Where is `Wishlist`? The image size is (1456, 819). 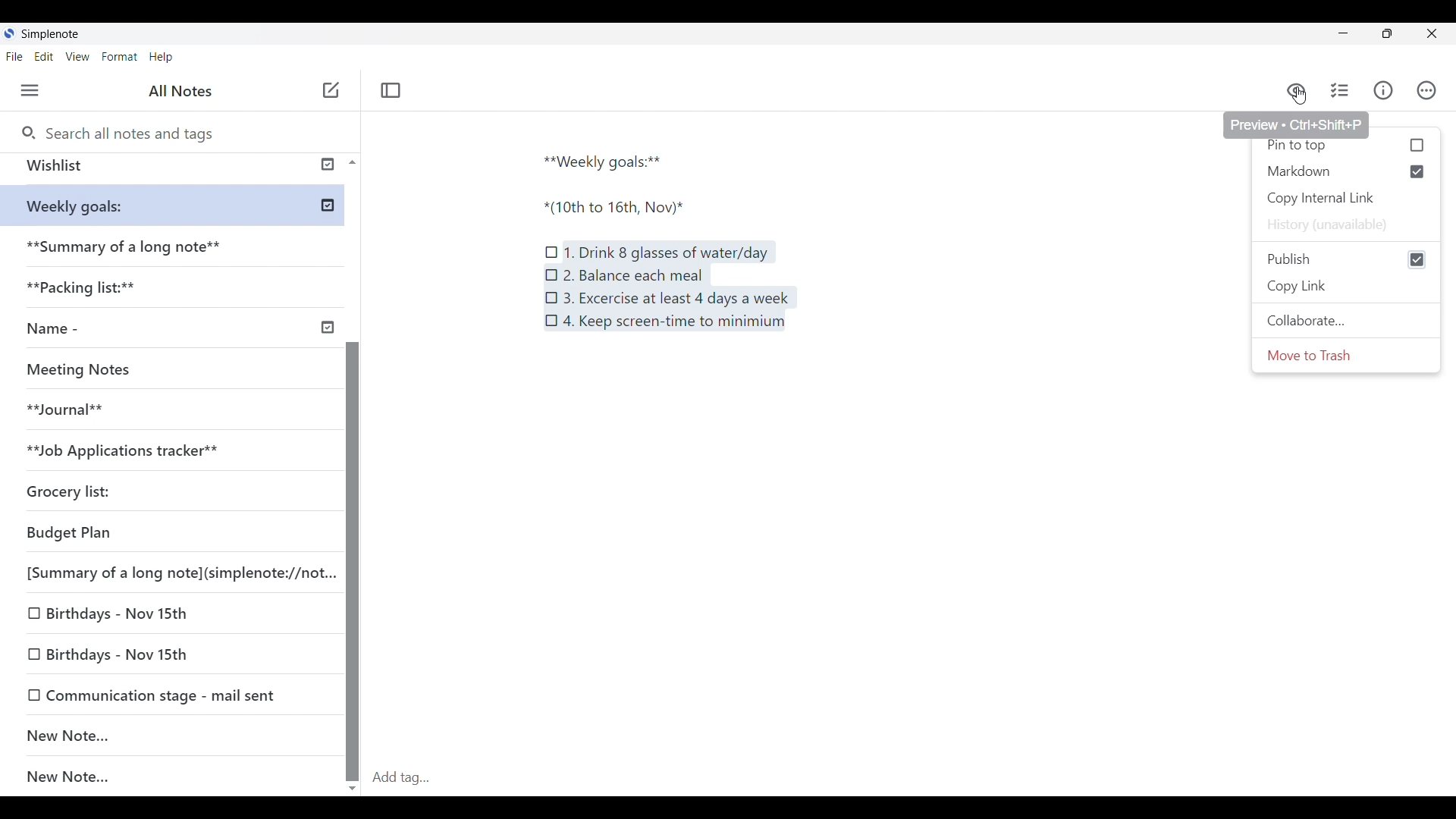
Wishlist is located at coordinates (168, 169).